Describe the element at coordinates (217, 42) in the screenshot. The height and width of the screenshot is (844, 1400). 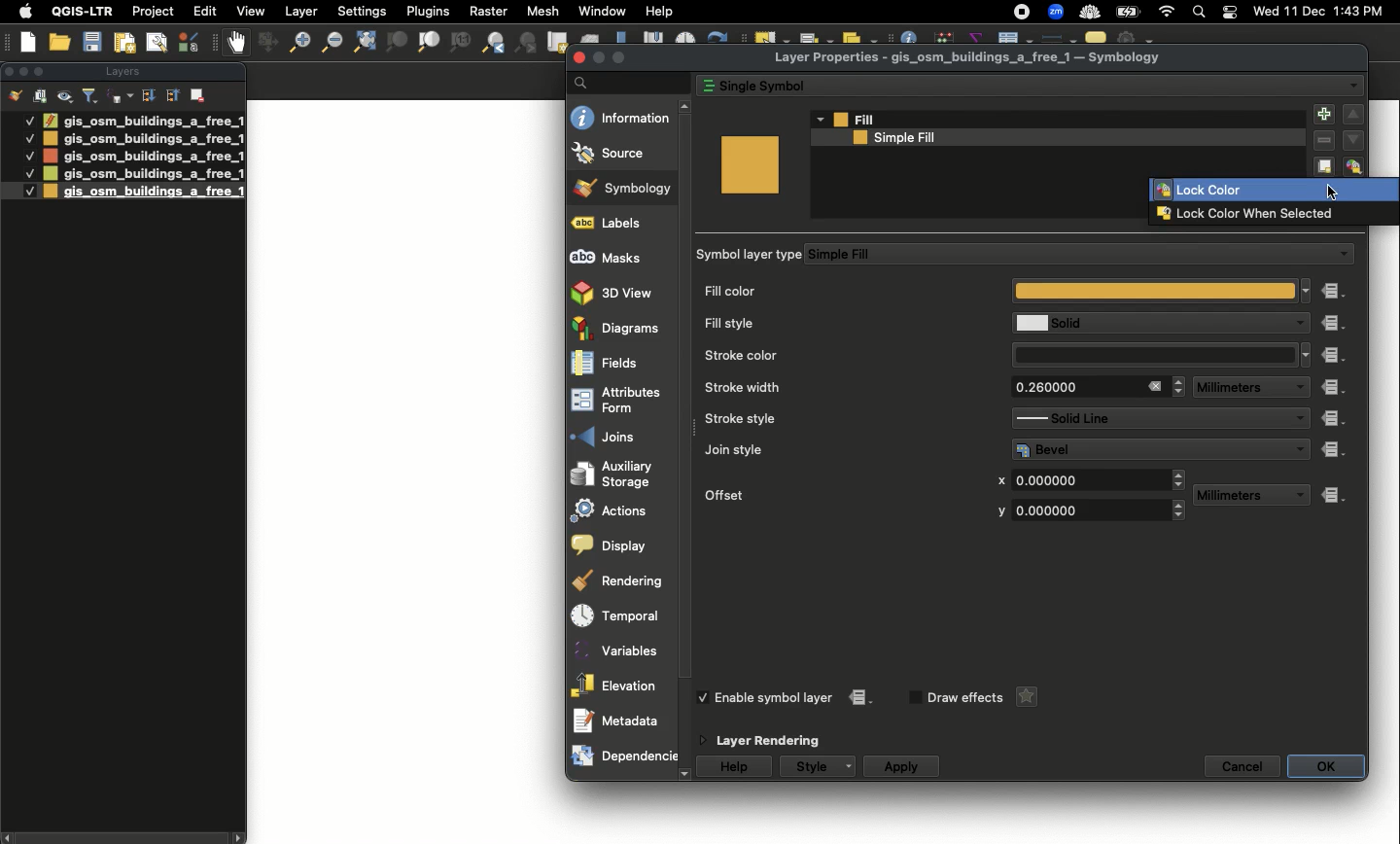
I see `` at that location.